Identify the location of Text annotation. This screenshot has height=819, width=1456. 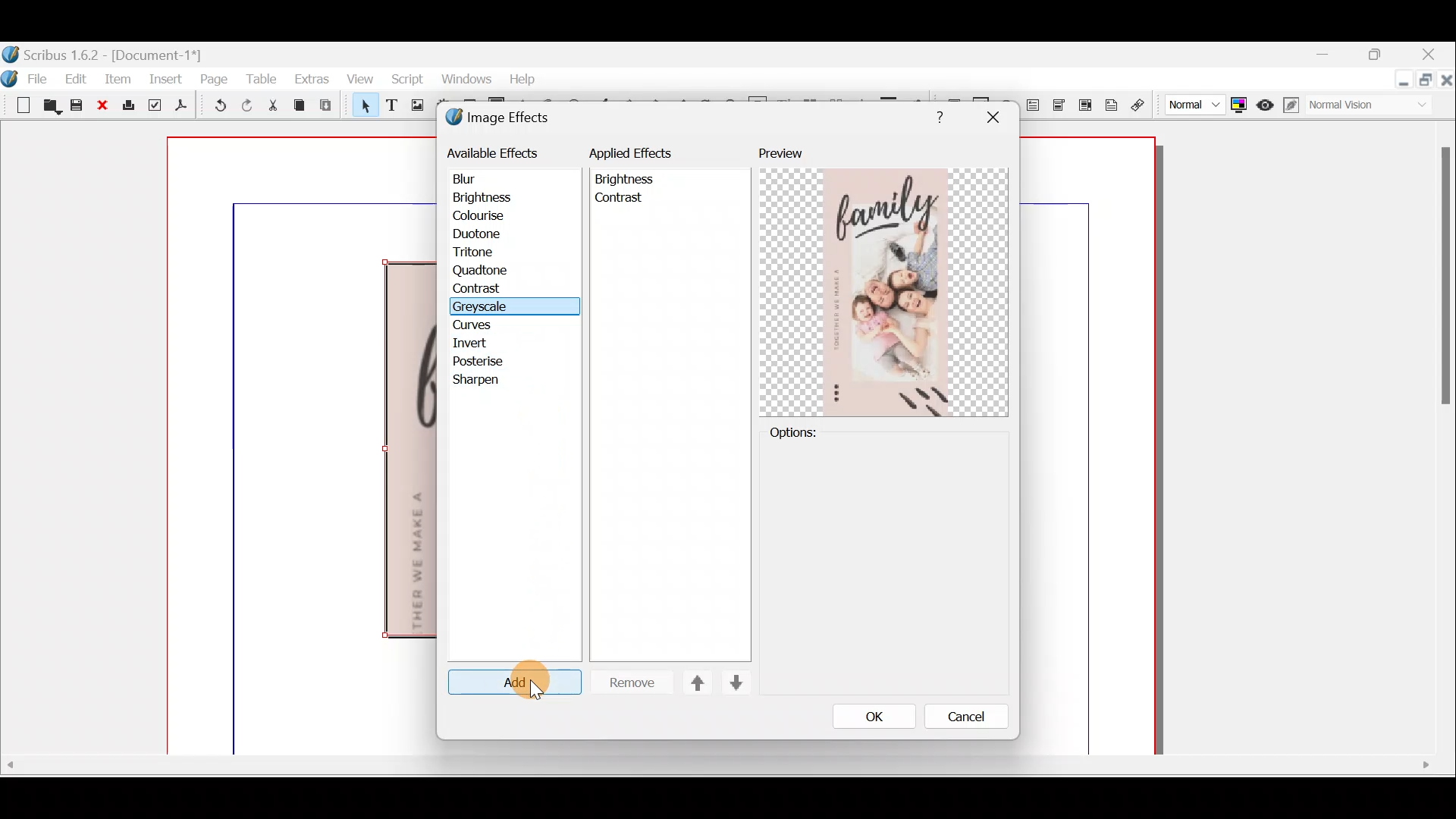
(1112, 108).